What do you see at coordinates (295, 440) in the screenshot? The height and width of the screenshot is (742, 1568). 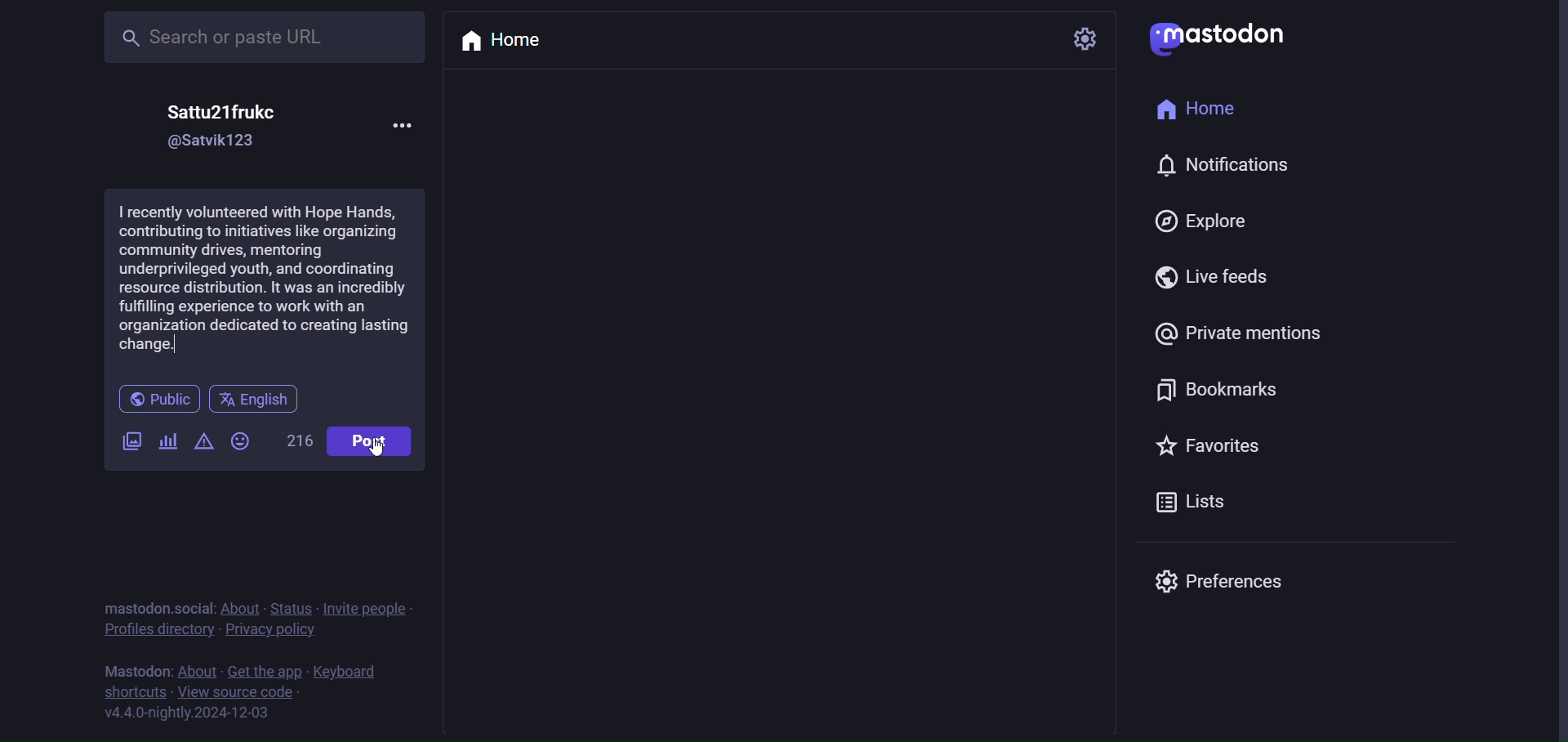 I see `word limit` at bounding box center [295, 440].